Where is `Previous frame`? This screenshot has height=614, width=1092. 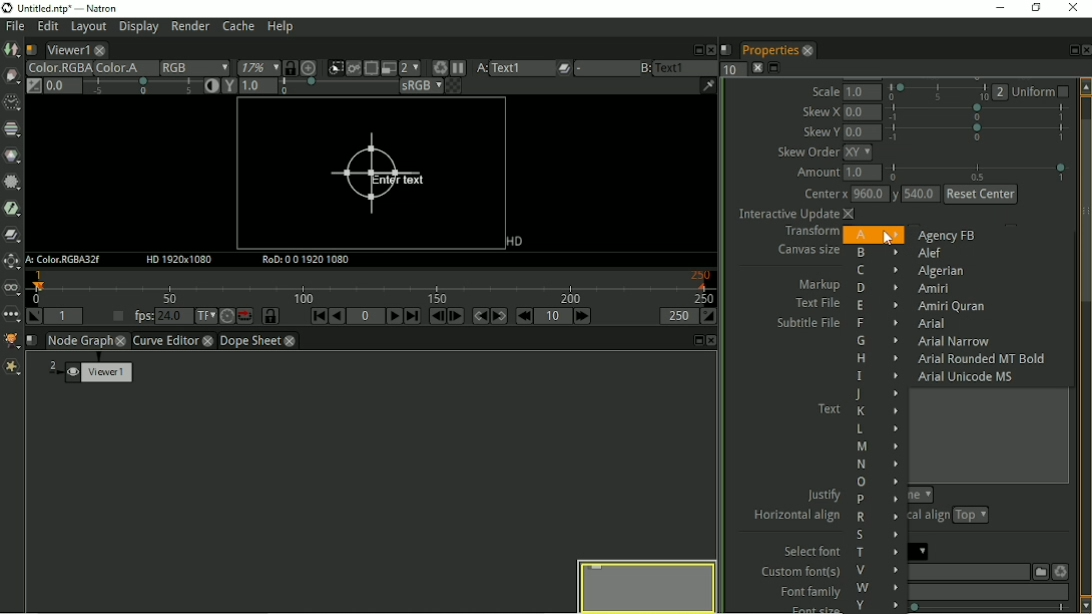
Previous frame is located at coordinates (435, 316).